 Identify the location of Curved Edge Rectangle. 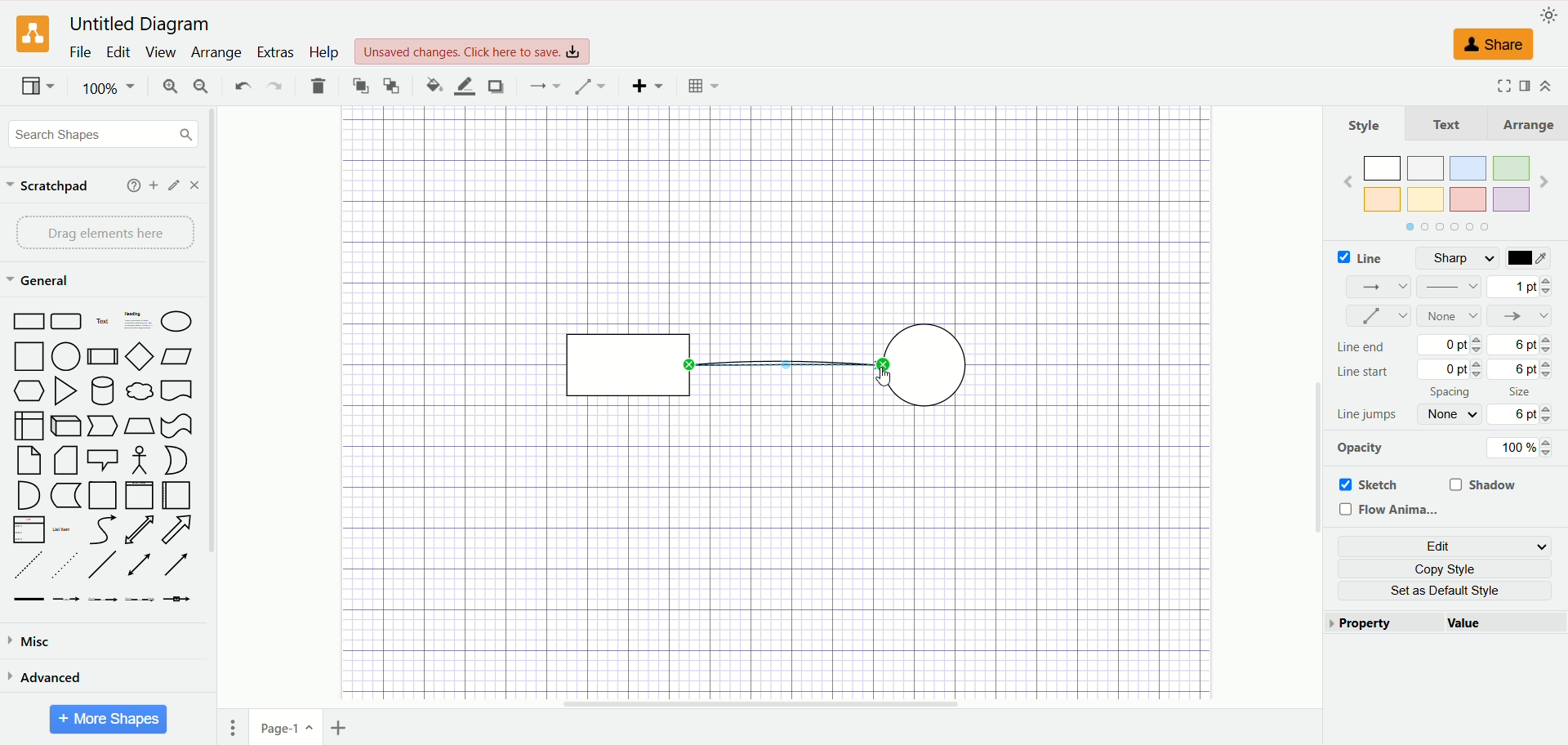
(68, 321).